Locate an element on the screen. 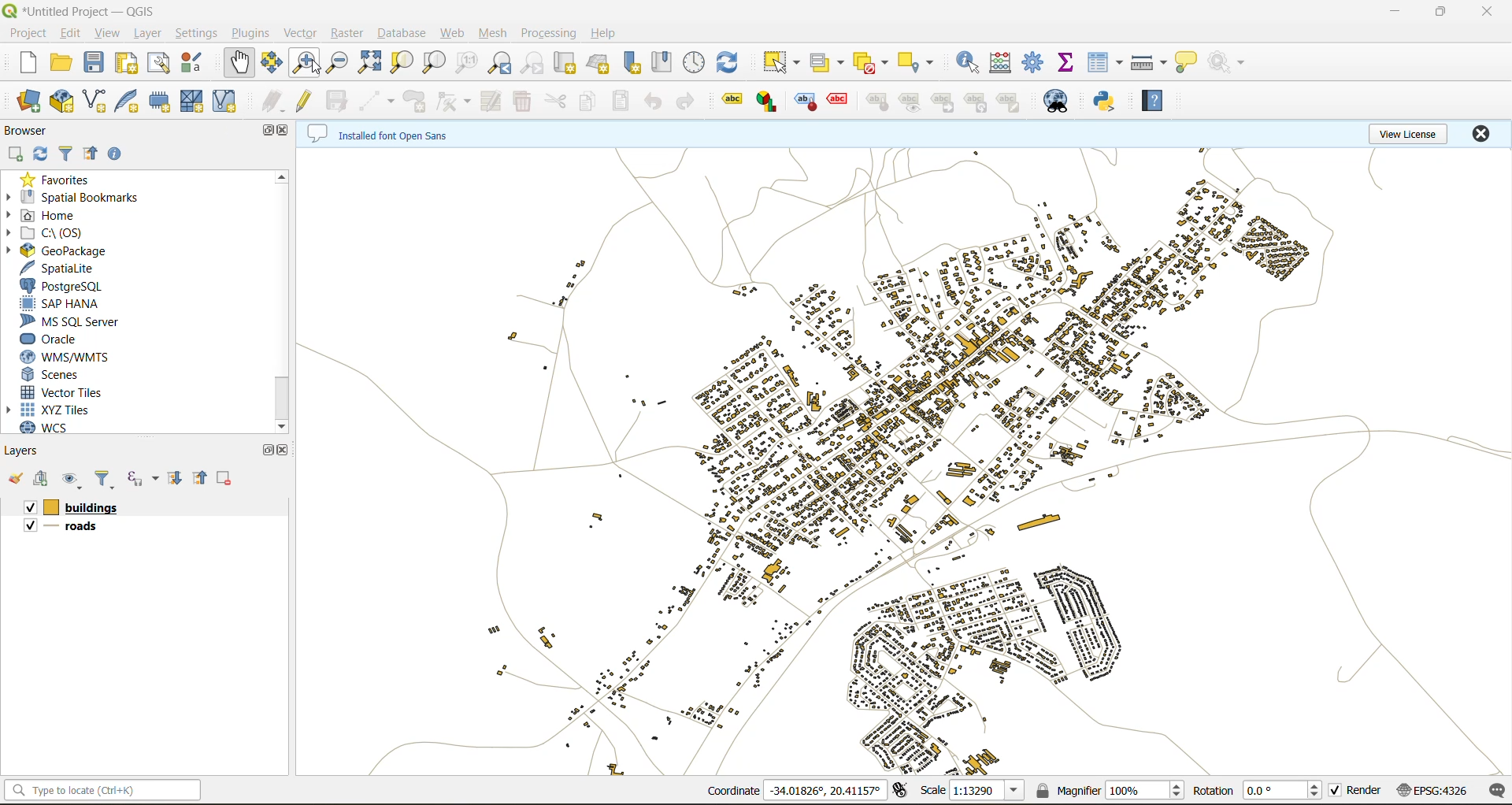 This screenshot has width=1512, height=805. new mesh layer is located at coordinates (194, 103).